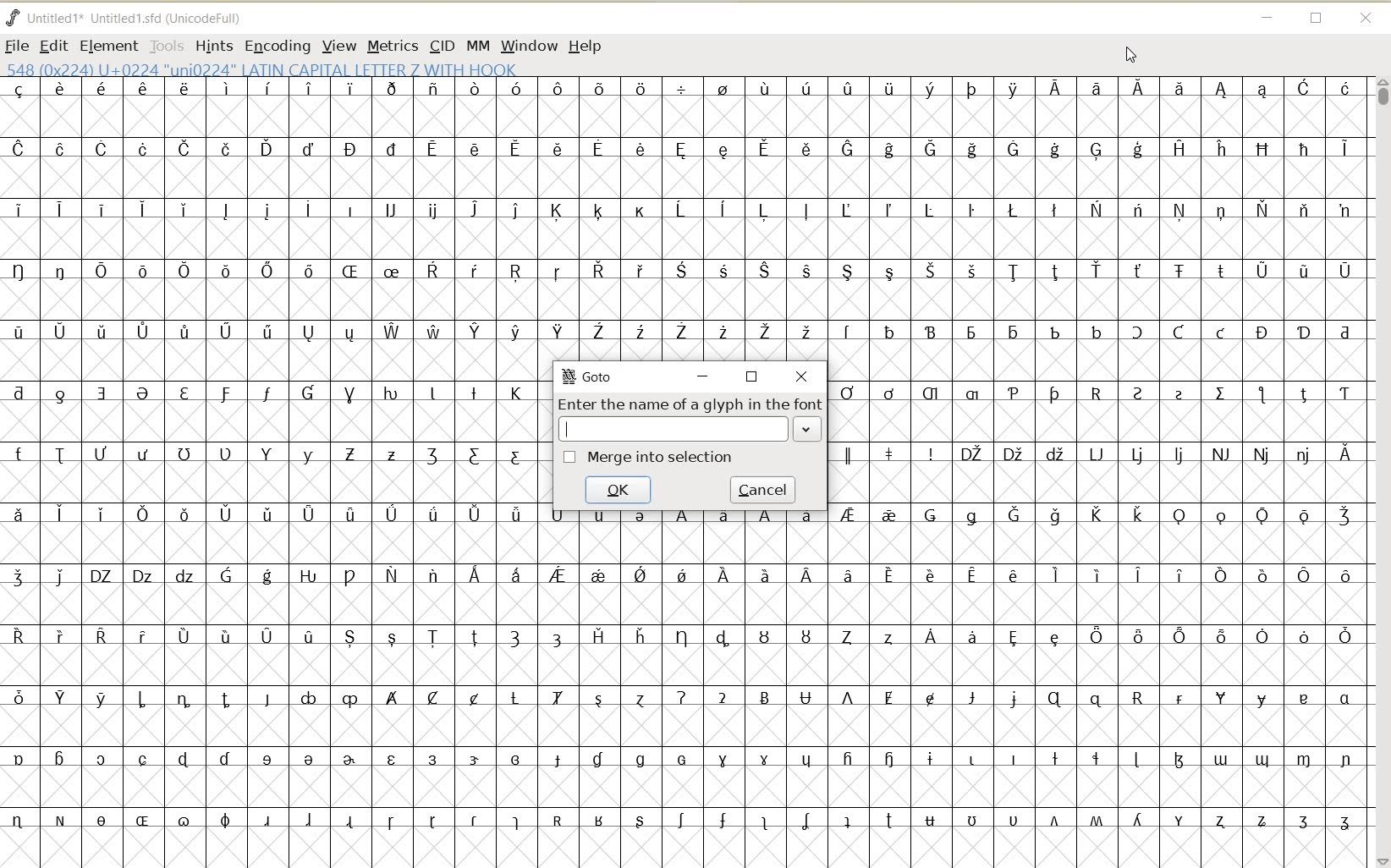 The width and height of the screenshot is (1391, 868). Describe the element at coordinates (392, 46) in the screenshot. I see `METRICS` at that location.